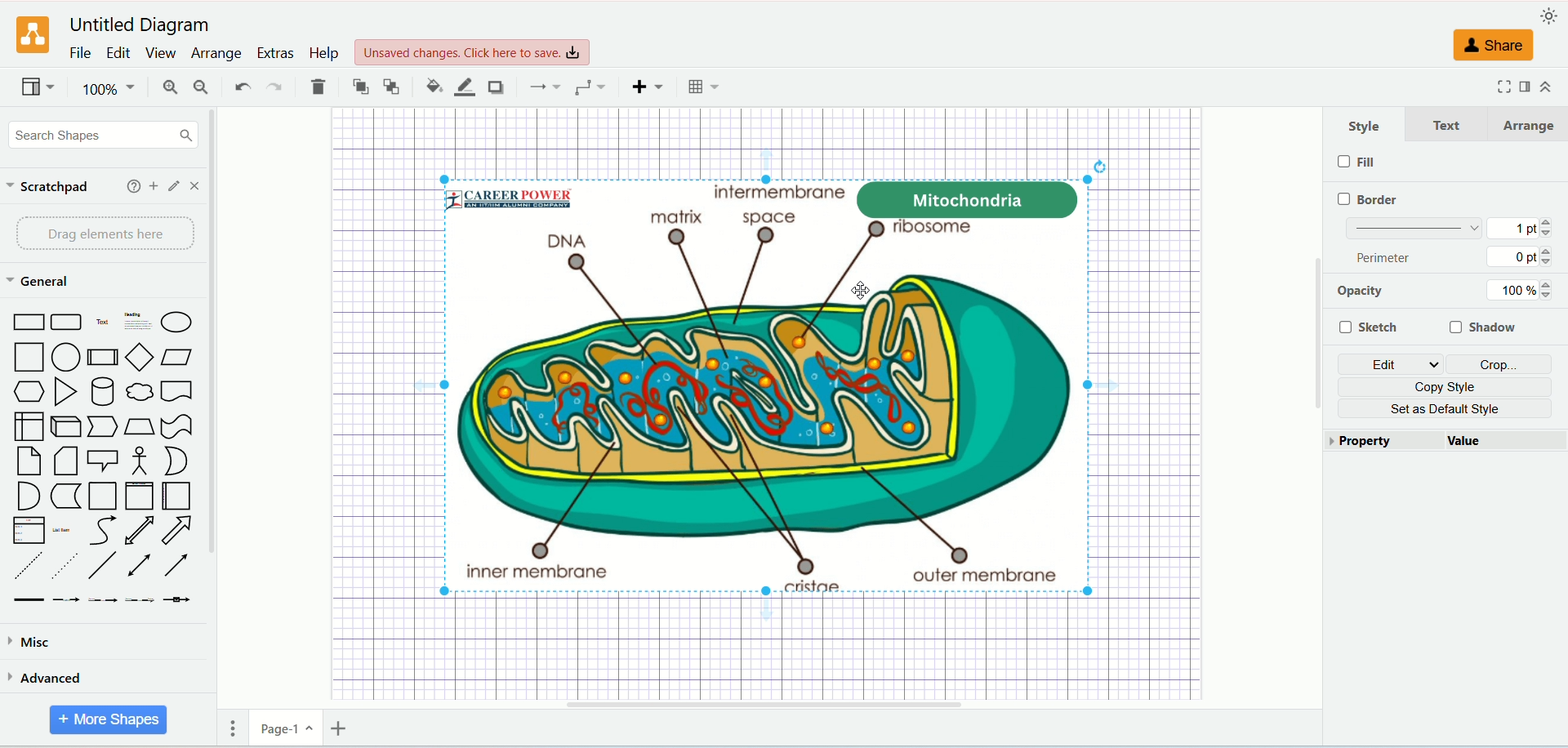 The image size is (1568, 748). I want to click on Hexagon, so click(30, 393).